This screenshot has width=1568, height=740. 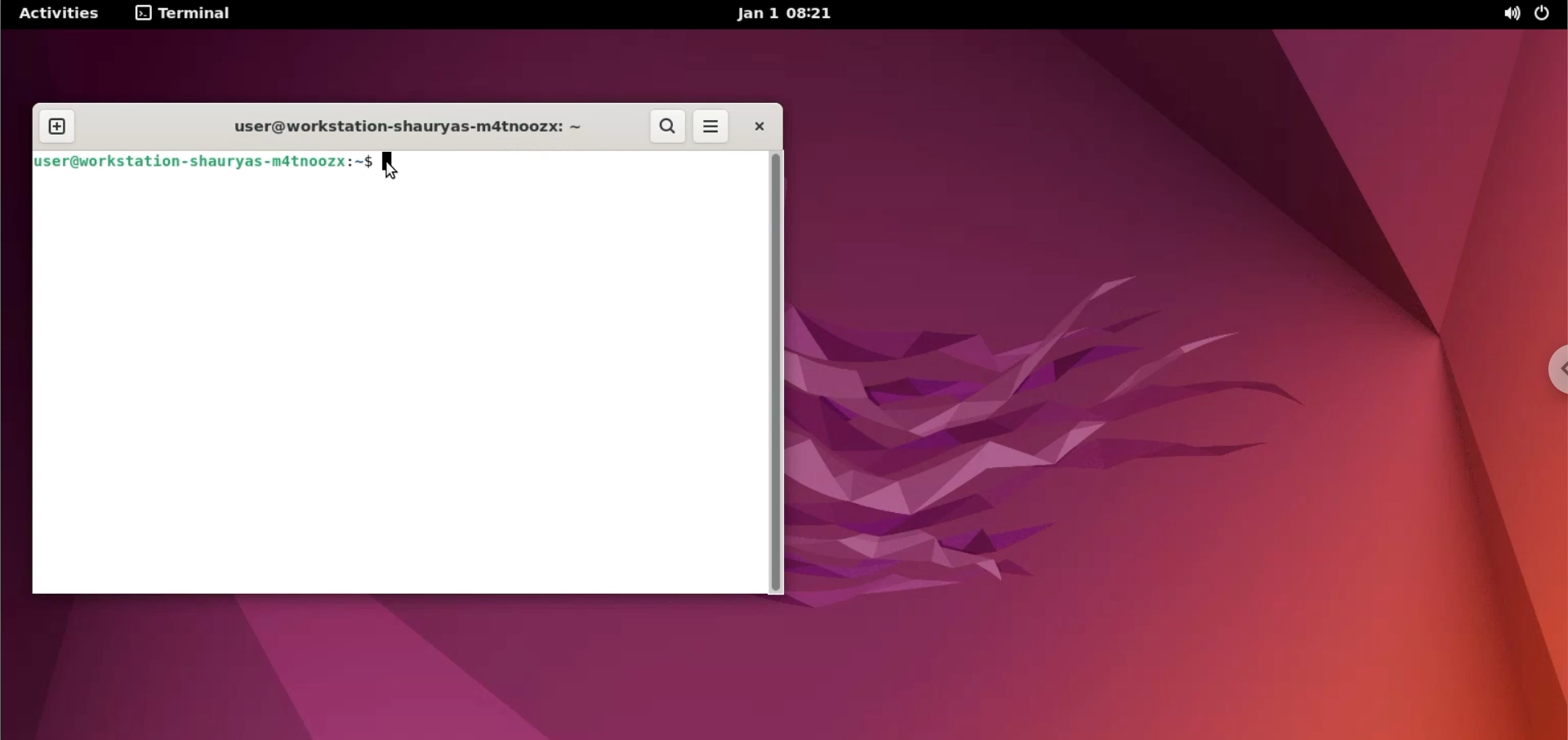 What do you see at coordinates (57, 125) in the screenshot?
I see `new tab` at bounding box center [57, 125].